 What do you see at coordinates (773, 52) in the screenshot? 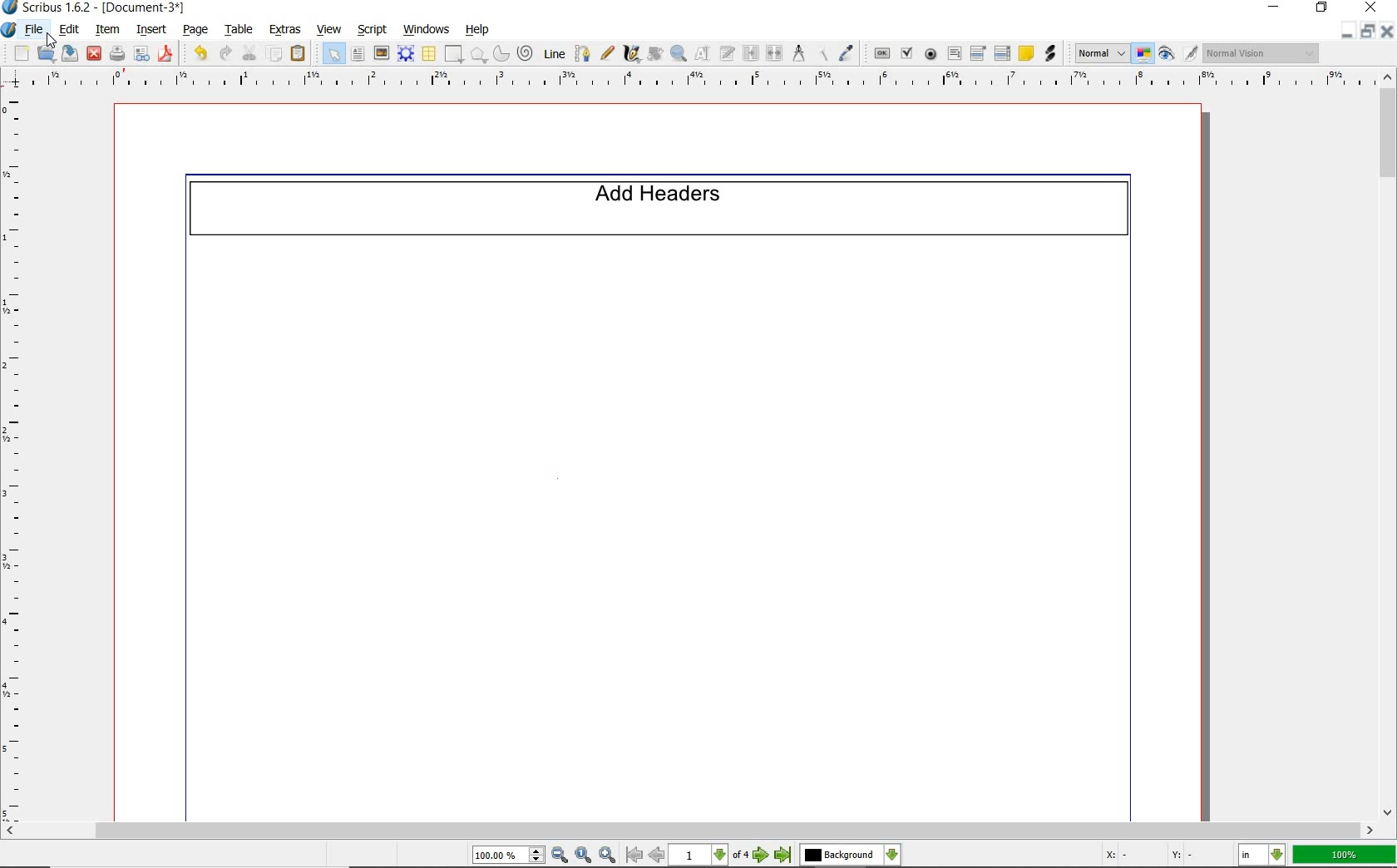
I see `unlink text frames` at bounding box center [773, 52].